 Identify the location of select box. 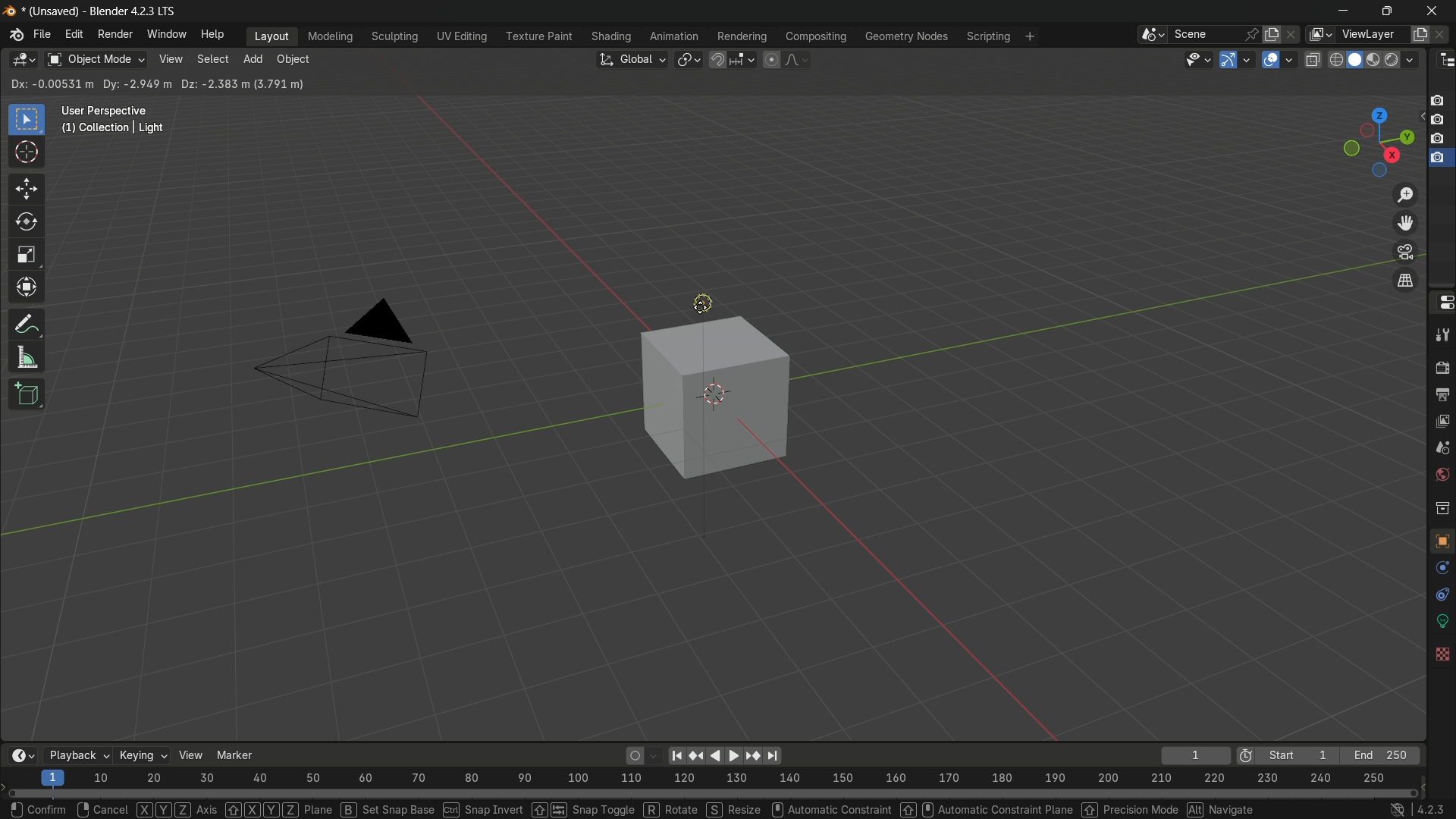
(27, 118).